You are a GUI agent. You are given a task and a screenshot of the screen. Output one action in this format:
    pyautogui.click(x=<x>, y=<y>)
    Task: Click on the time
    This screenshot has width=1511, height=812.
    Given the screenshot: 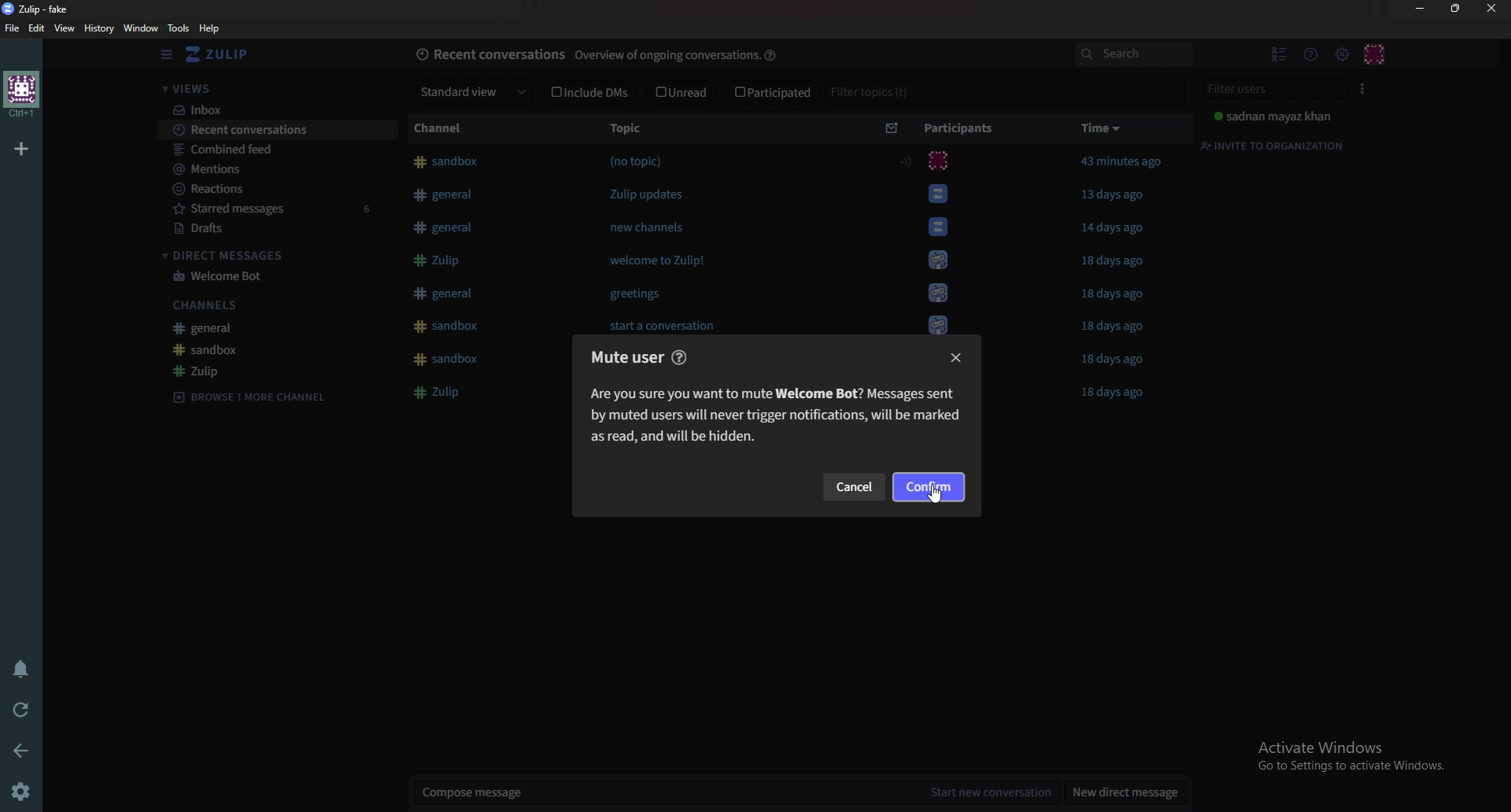 What is the action you would take?
    pyautogui.click(x=1101, y=130)
    